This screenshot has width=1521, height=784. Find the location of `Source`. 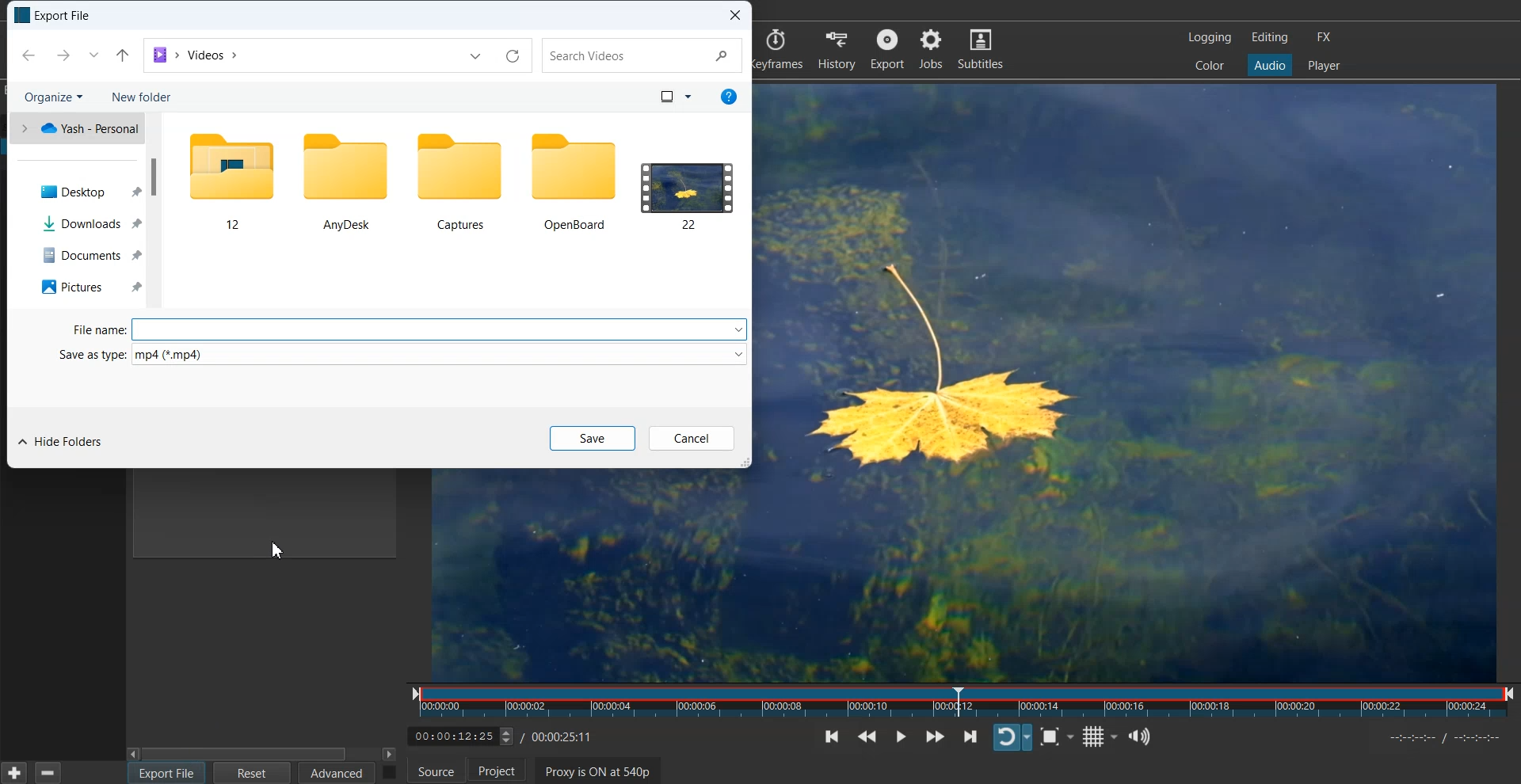

Source is located at coordinates (435, 773).